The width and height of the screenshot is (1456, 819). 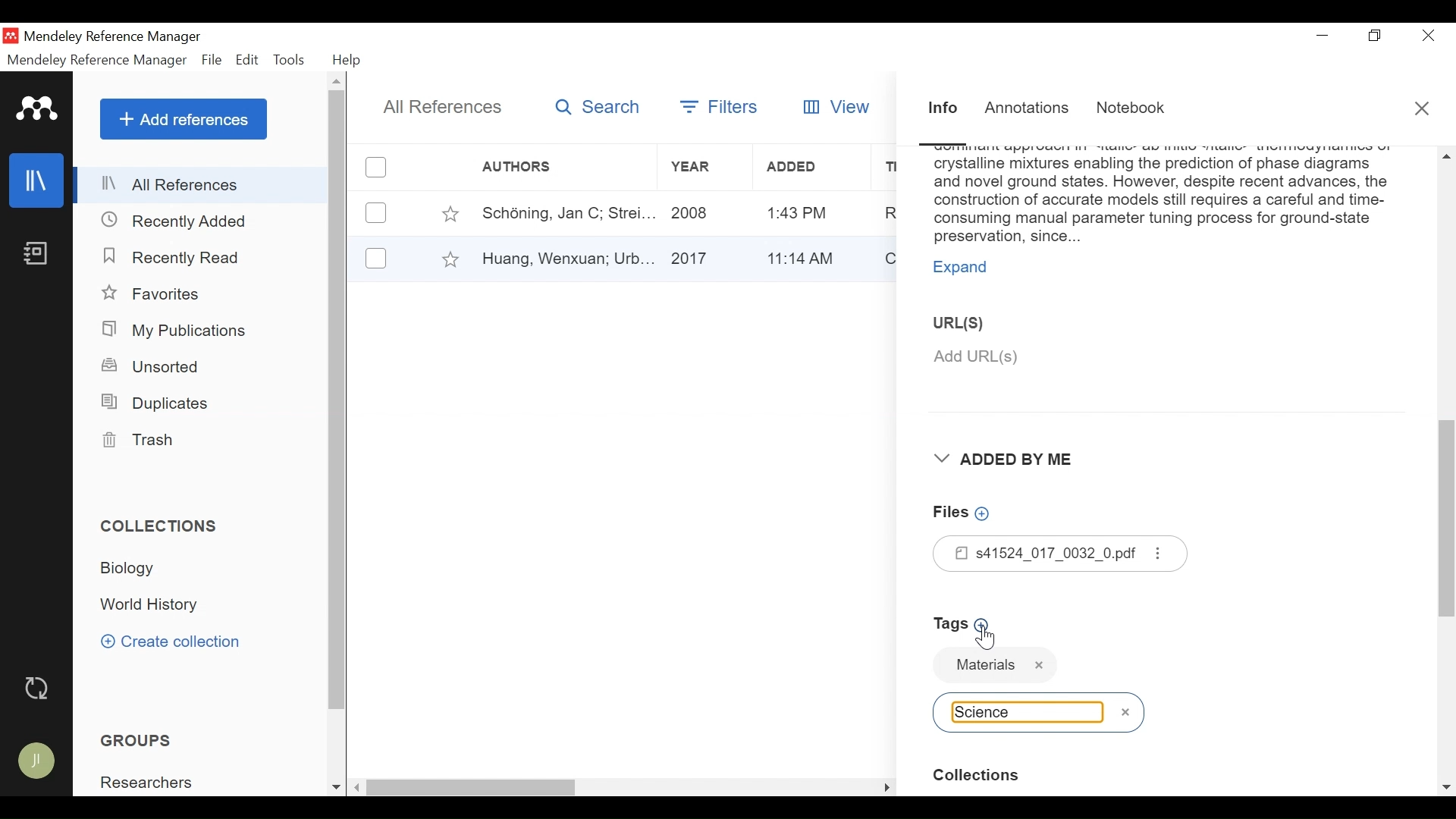 What do you see at coordinates (966, 269) in the screenshot?
I see `Expand` at bounding box center [966, 269].